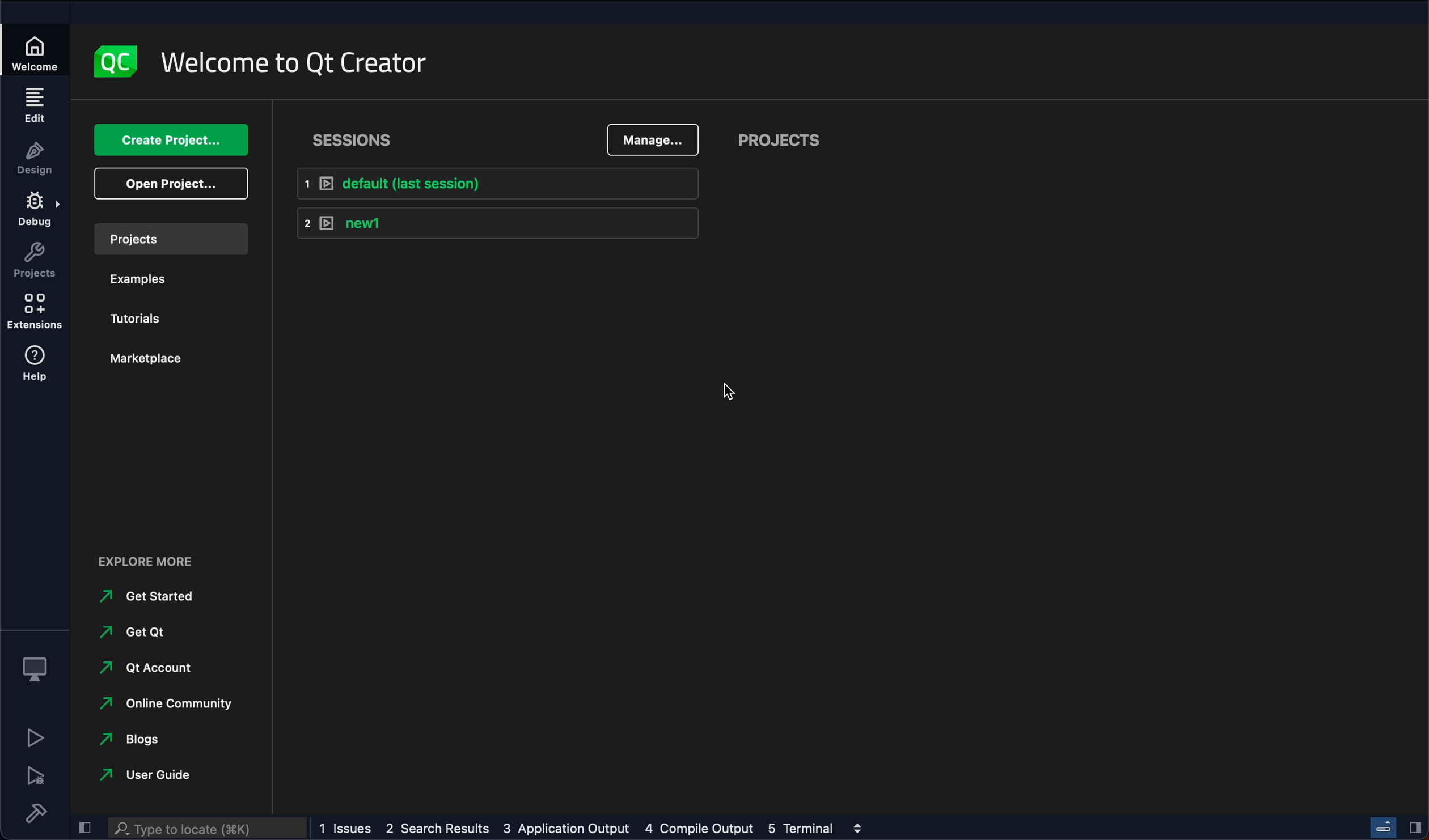 This screenshot has height=840, width=1429. Describe the element at coordinates (32, 740) in the screenshot. I see `run` at that location.